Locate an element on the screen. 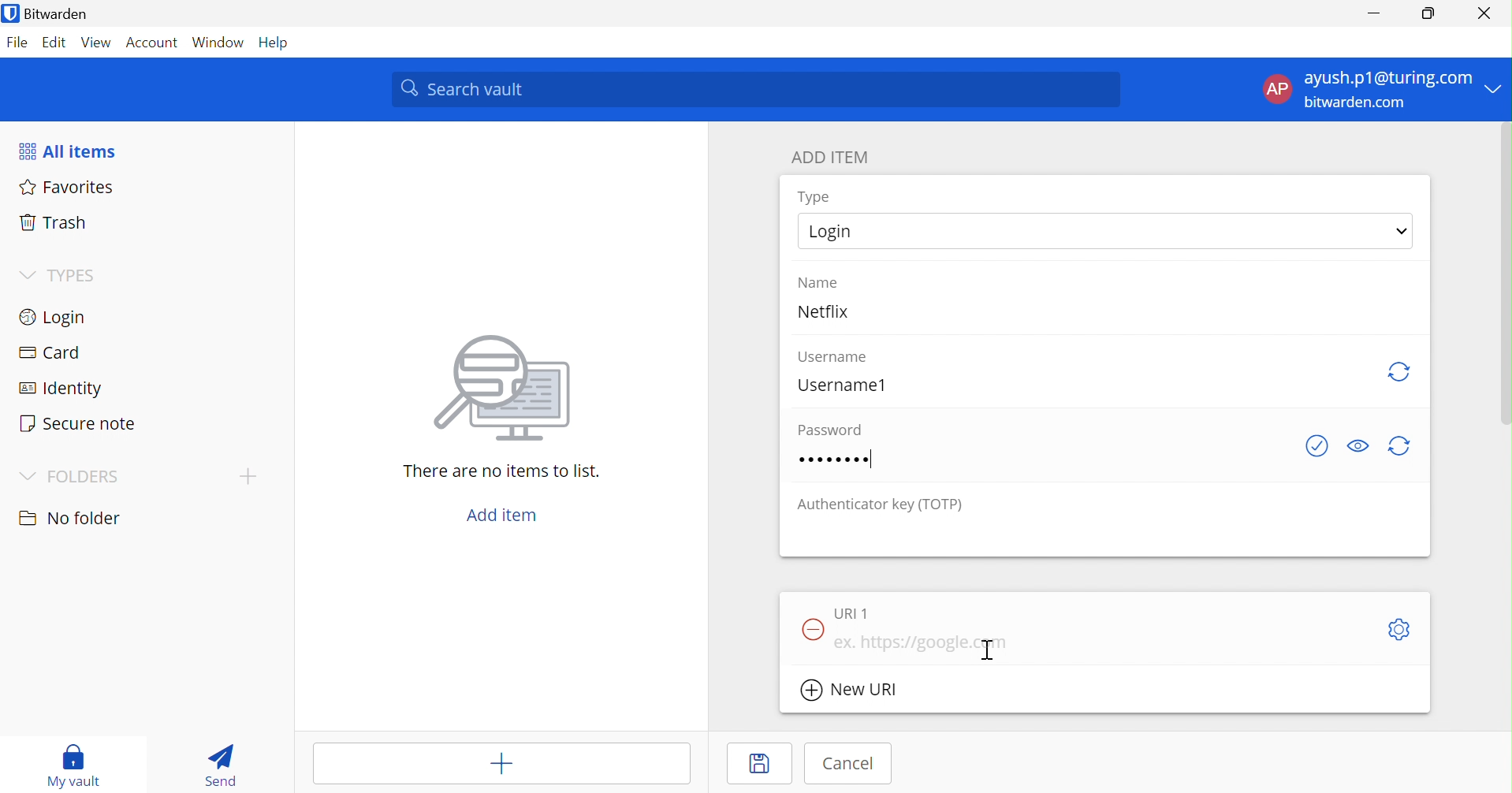 The height and width of the screenshot is (793, 1512). My vault is located at coordinates (73, 765).